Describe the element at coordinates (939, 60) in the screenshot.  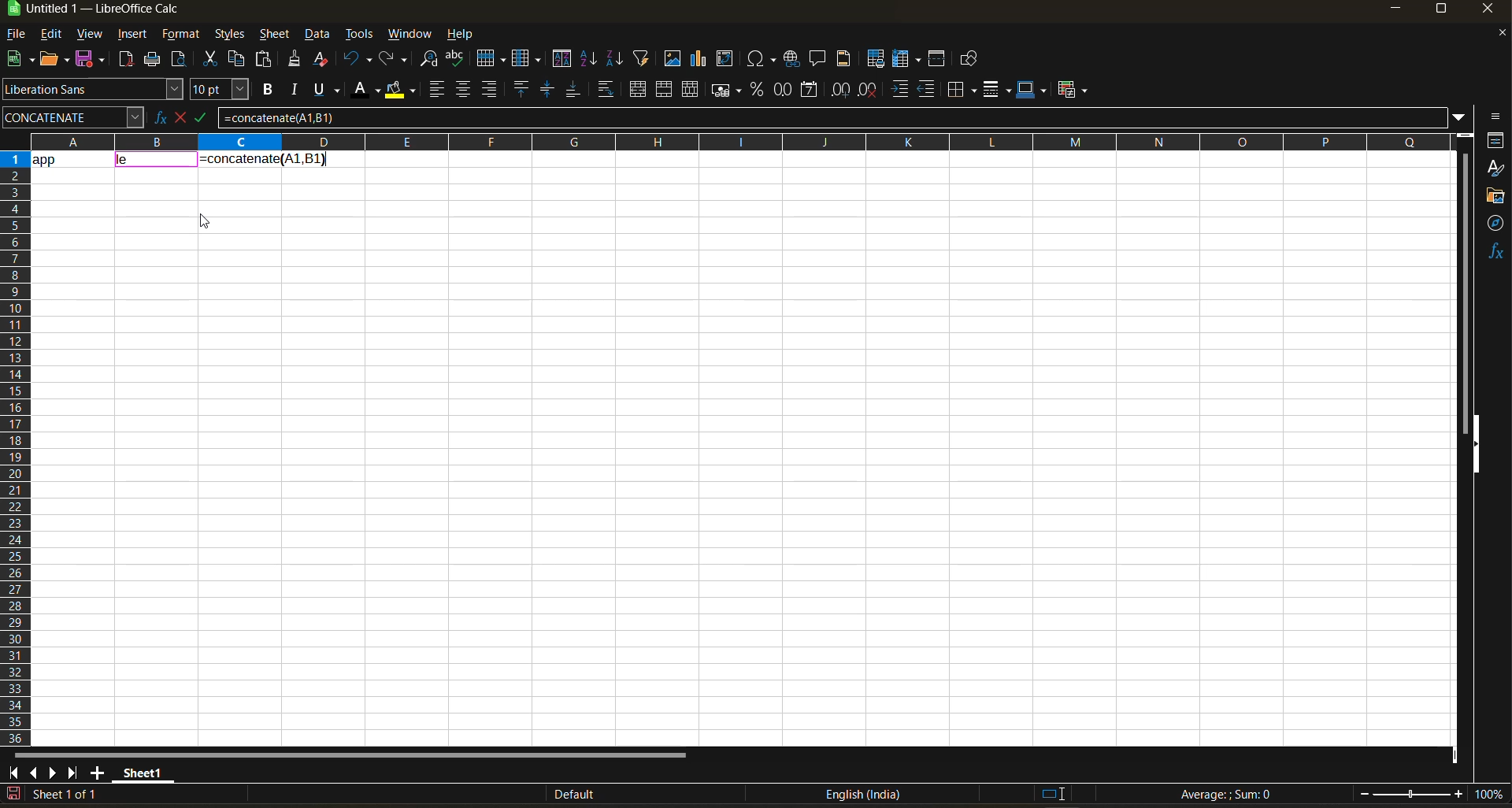
I see `split window` at that location.